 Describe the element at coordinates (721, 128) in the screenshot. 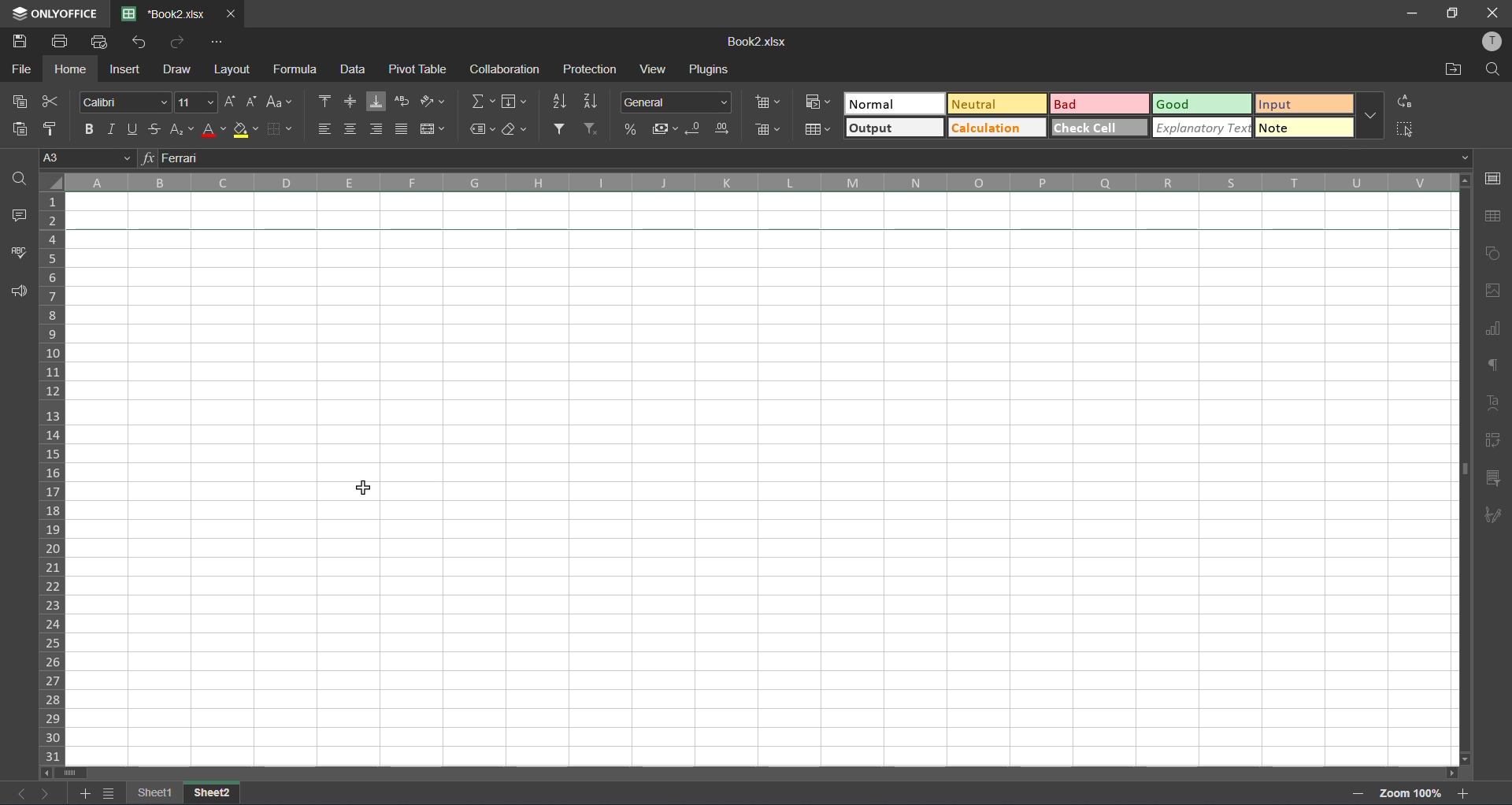

I see `increase decimal` at that location.